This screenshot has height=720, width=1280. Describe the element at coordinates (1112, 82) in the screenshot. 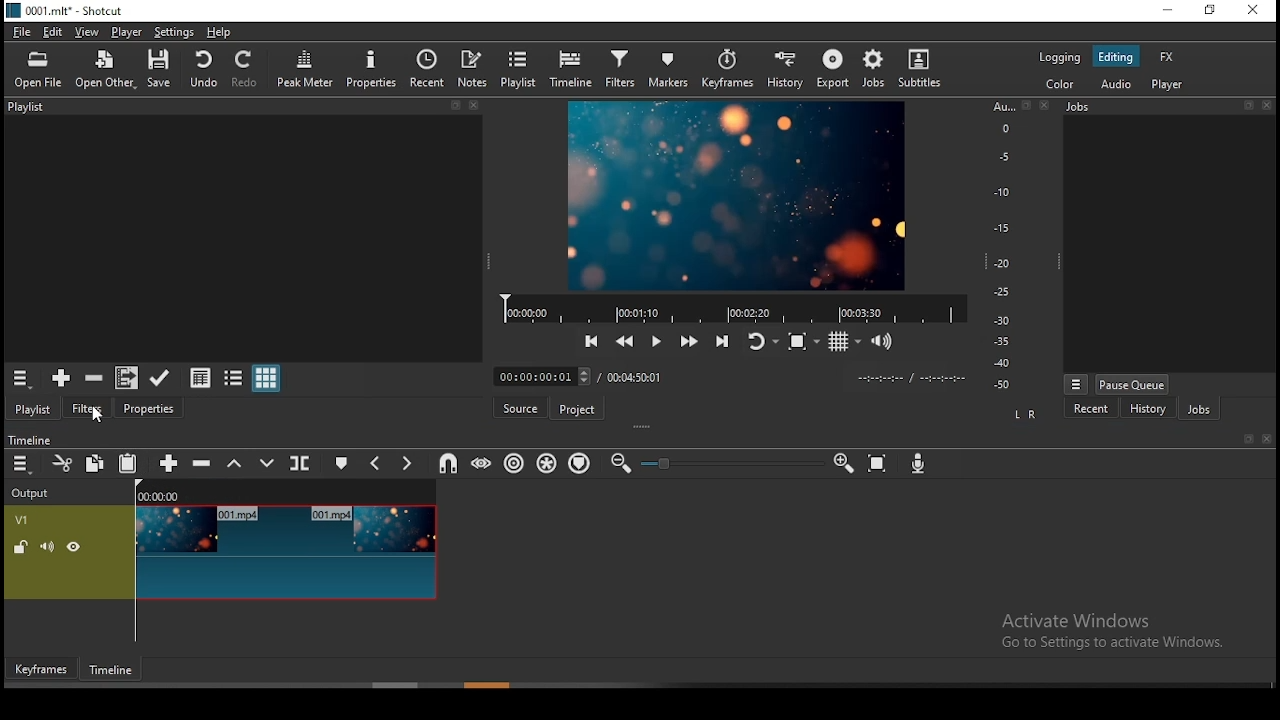

I see `audio` at that location.